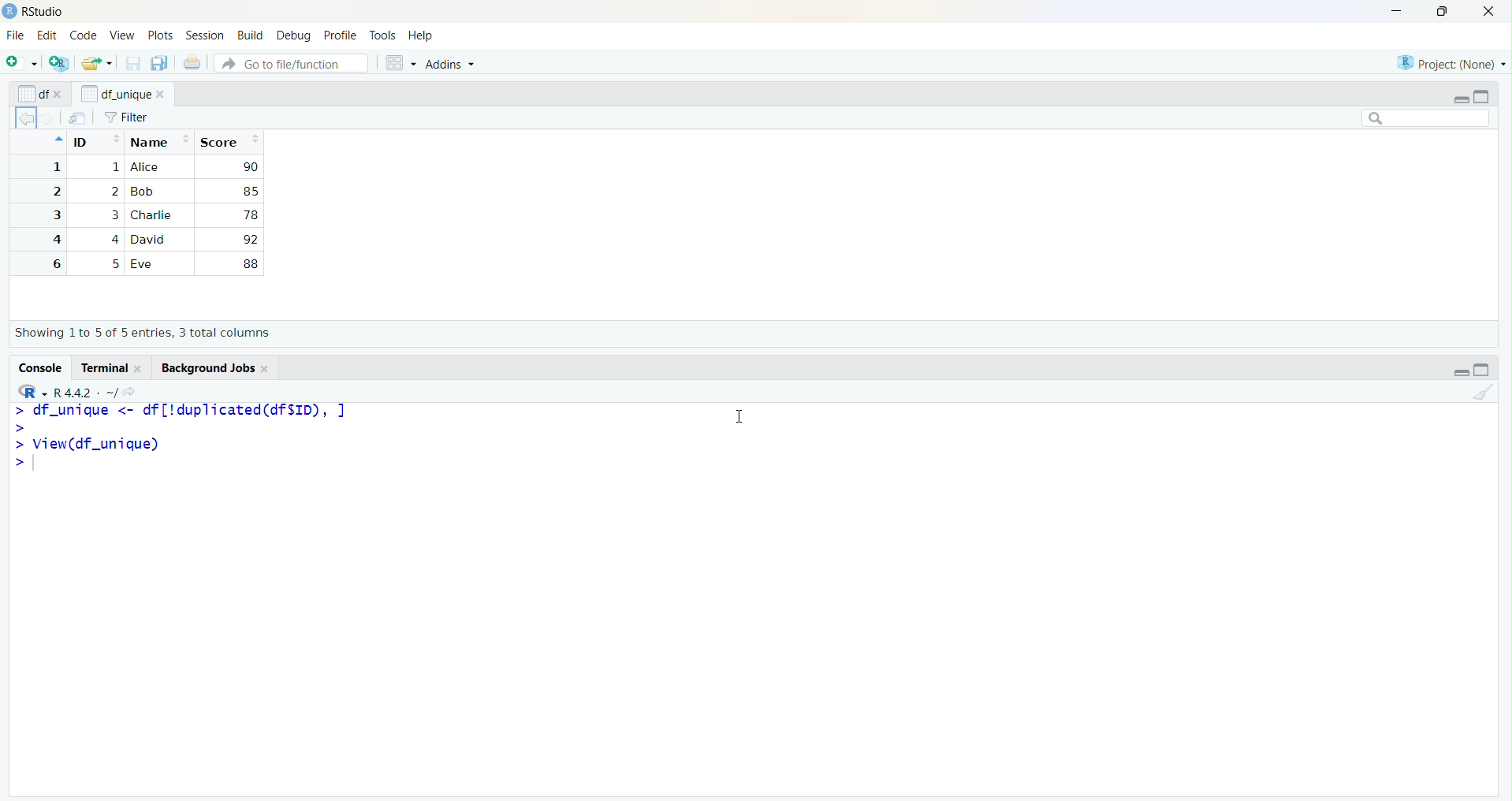 This screenshot has width=1512, height=801. Describe the element at coordinates (1482, 96) in the screenshot. I see `maximize` at that location.